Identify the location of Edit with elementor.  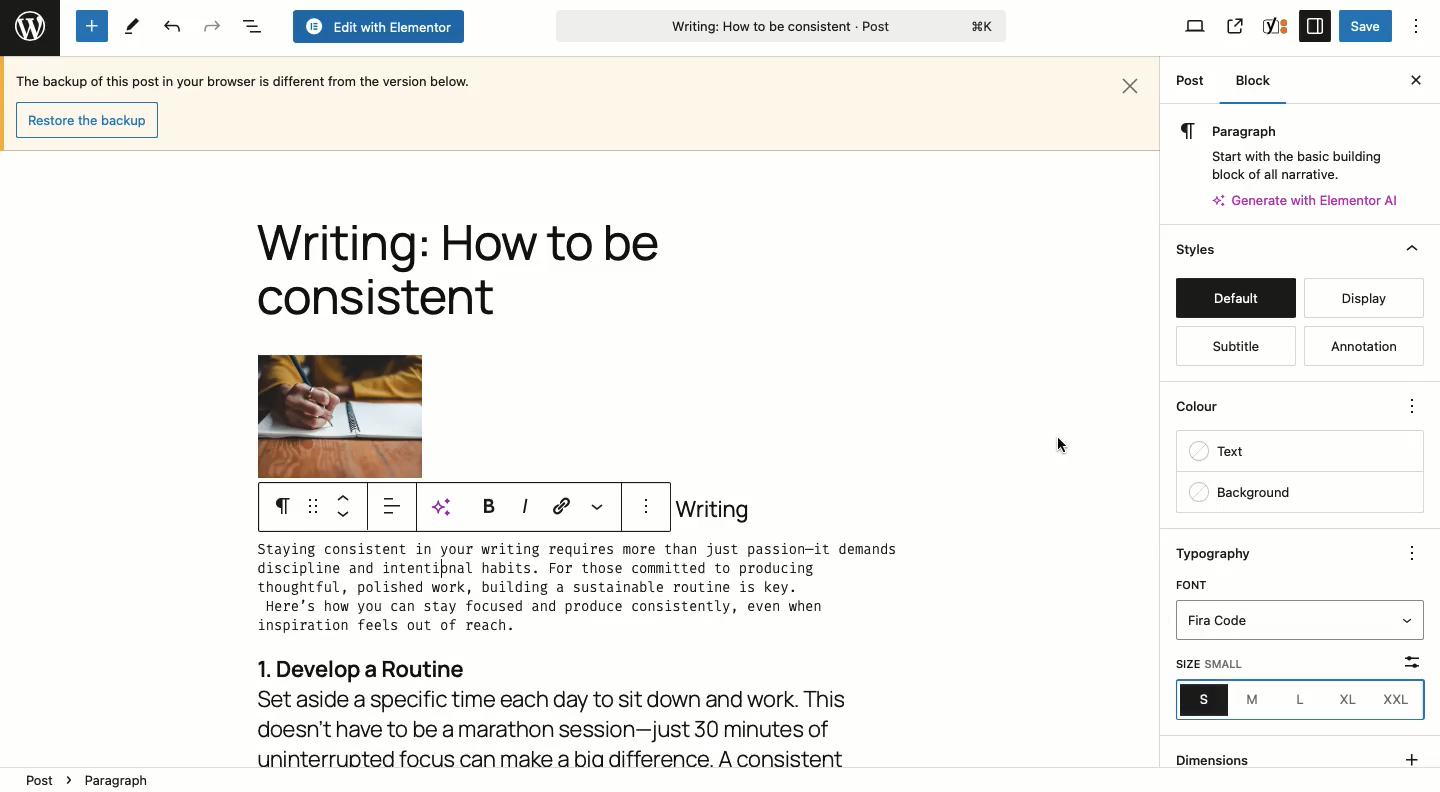
(377, 27).